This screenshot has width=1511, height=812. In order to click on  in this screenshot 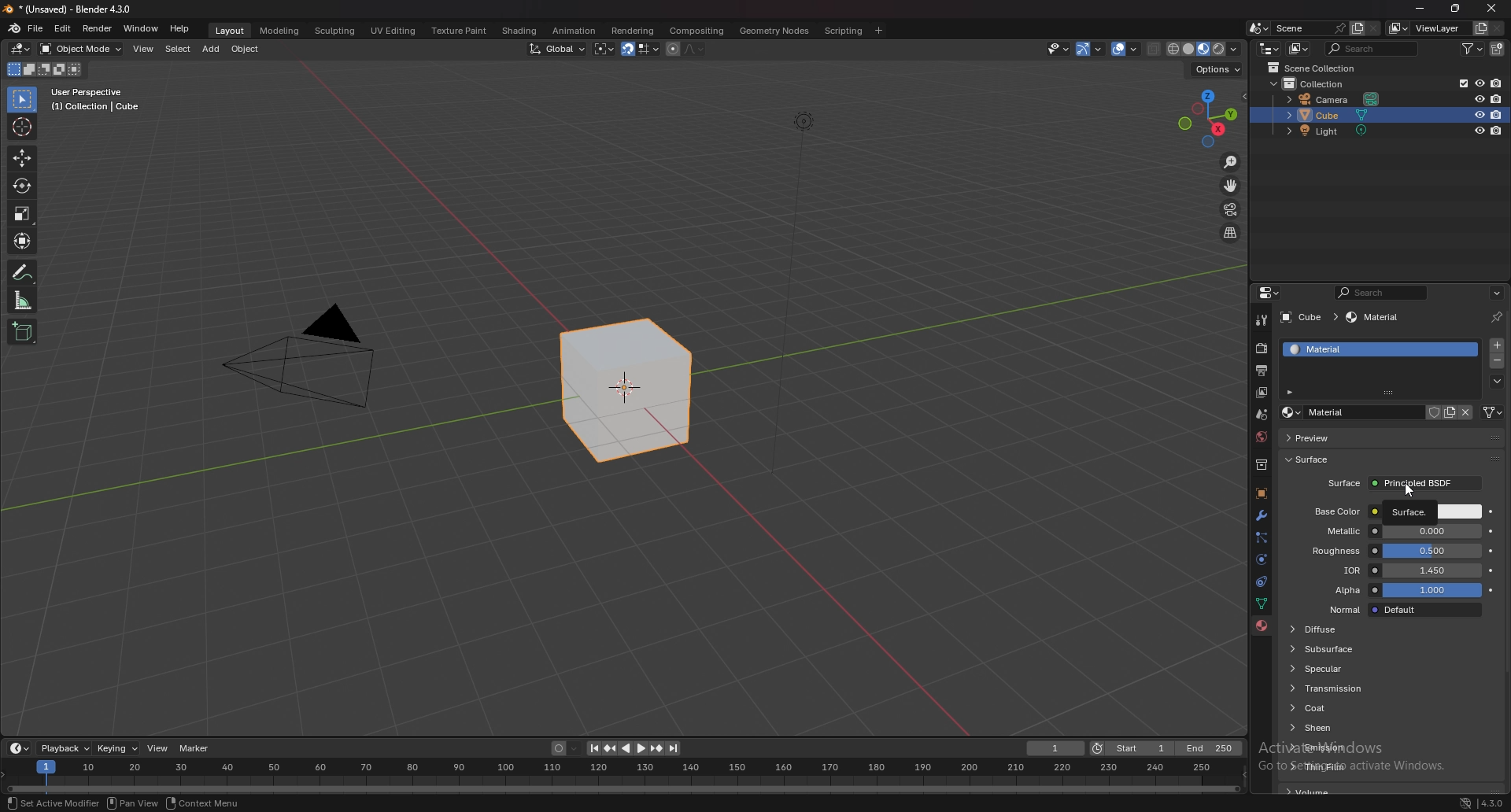, I will do `click(1491, 801)`.